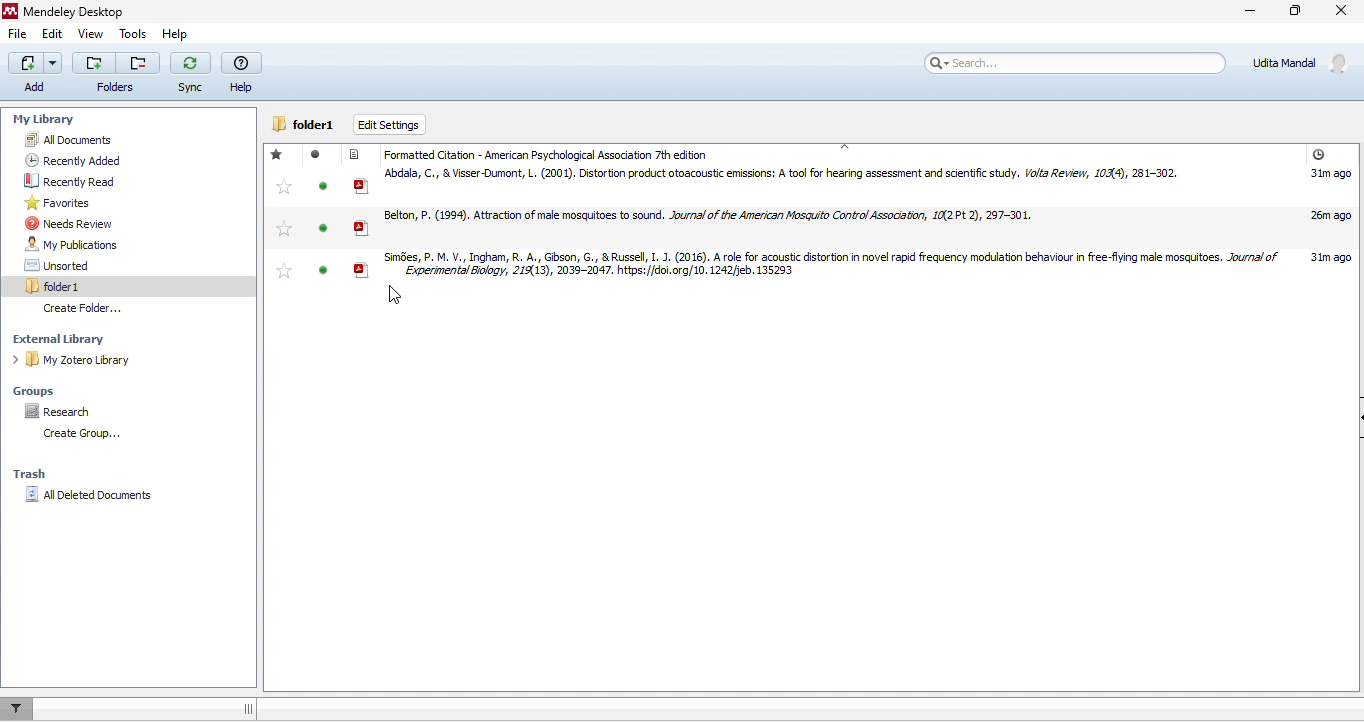 This screenshot has width=1364, height=722. Describe the element at coordinates (17, 34) in the screenshot. I see `file` at that location.